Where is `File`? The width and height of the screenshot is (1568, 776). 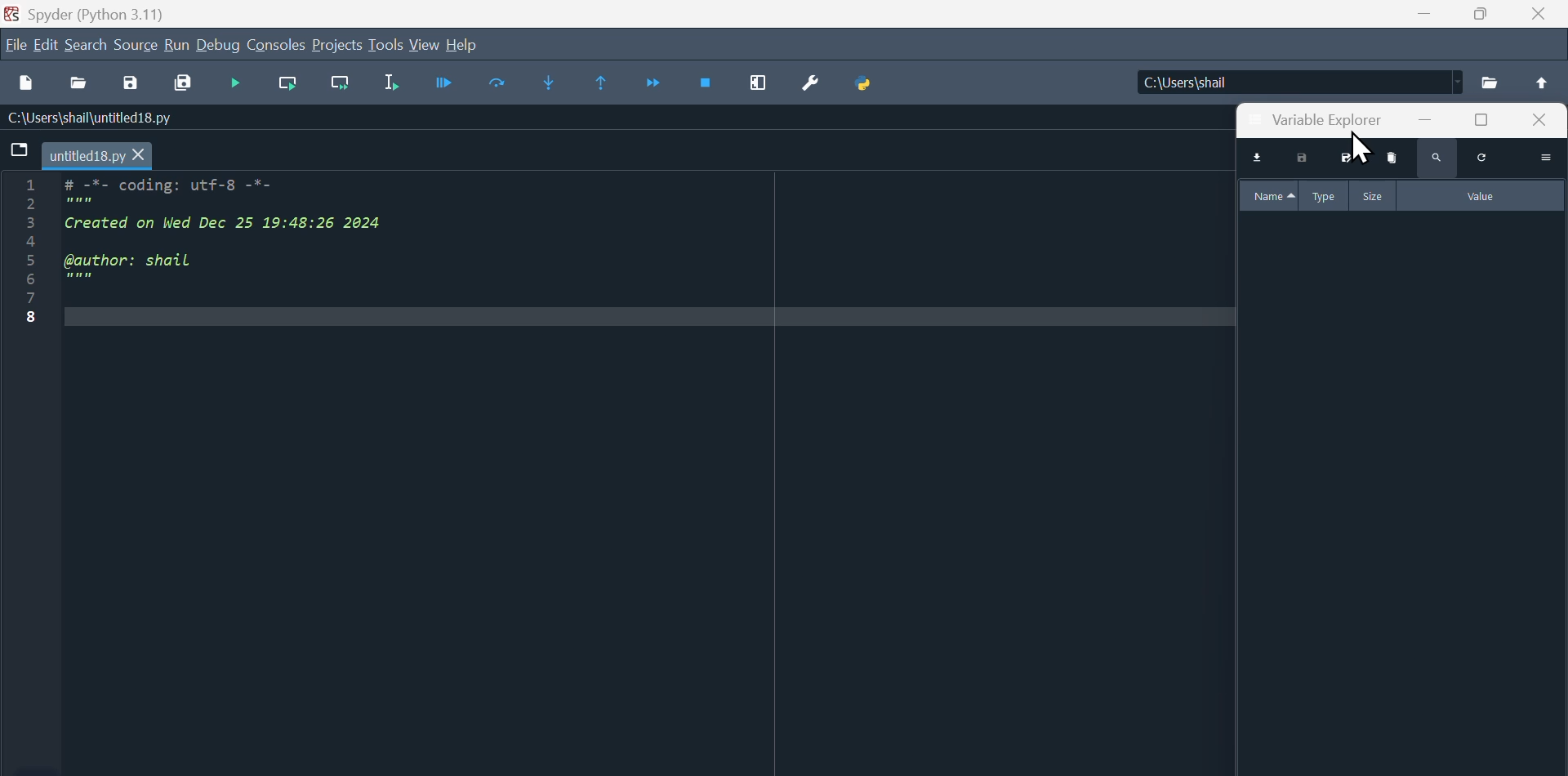 File is located at coordinates (15, 47).